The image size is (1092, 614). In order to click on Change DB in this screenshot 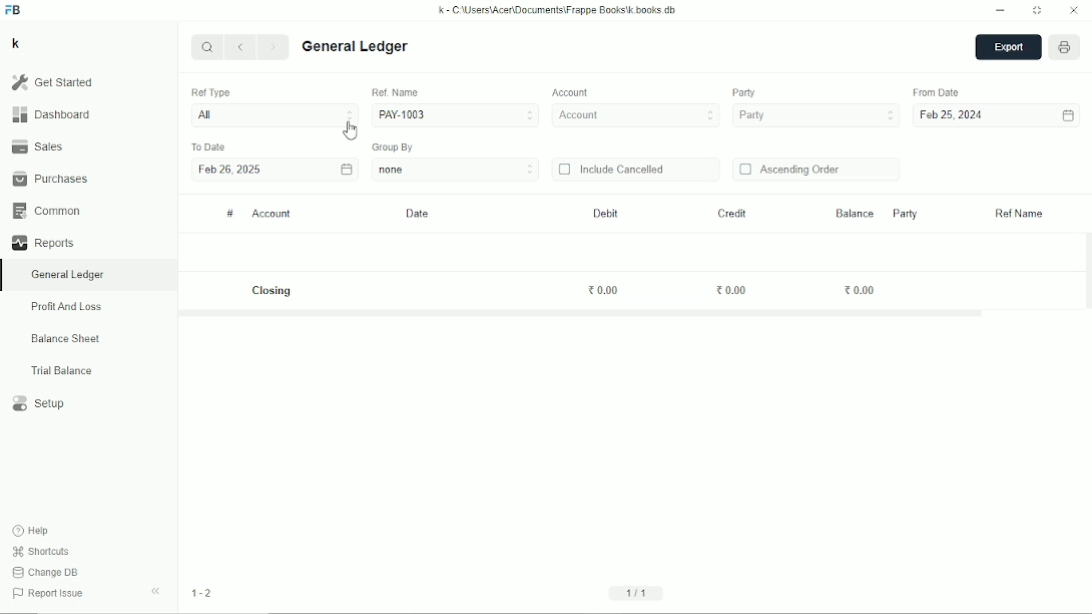, I will do `click(46, 572)`.